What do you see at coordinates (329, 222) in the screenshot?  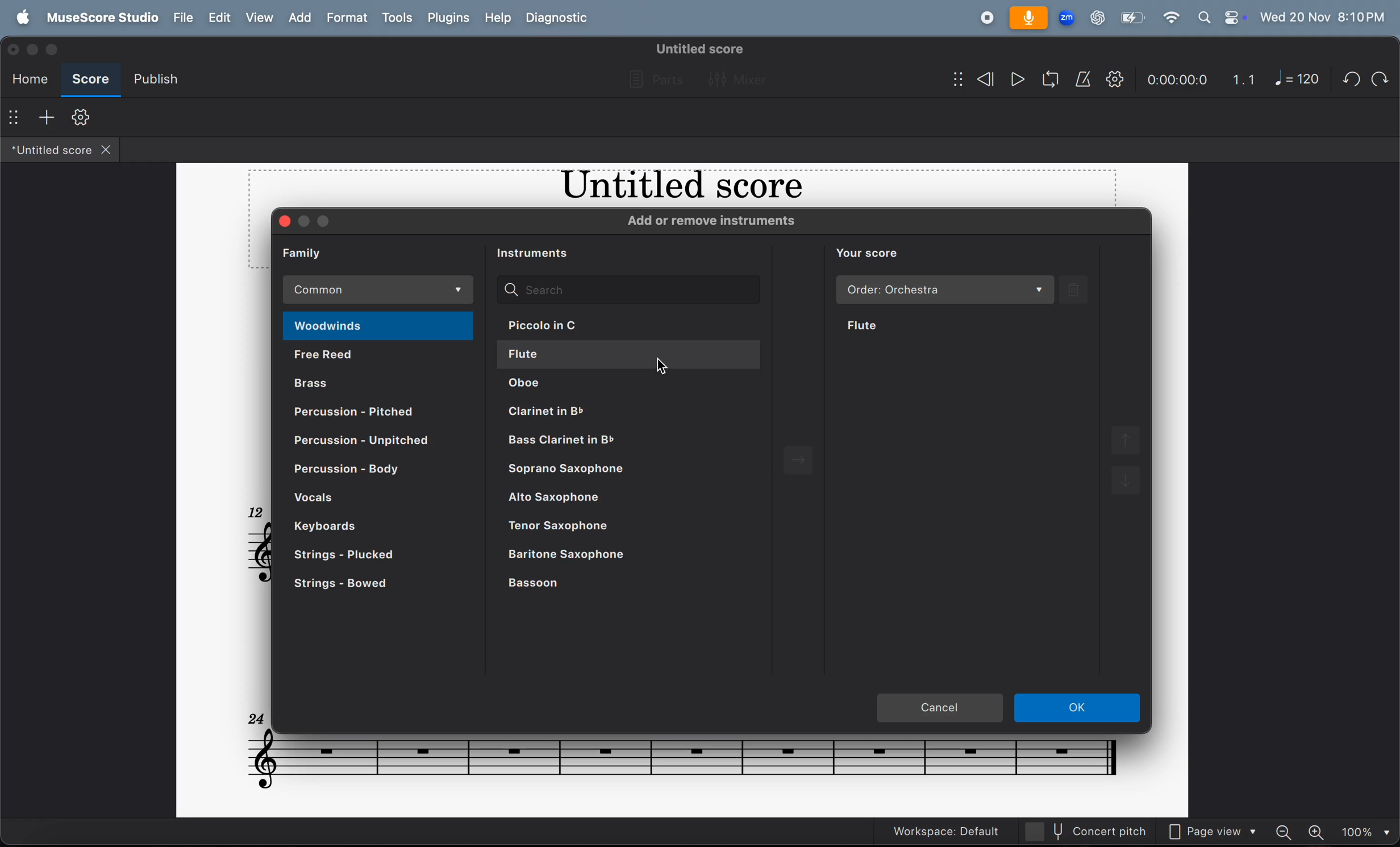 I see `maximize` at bounding box center [329, 222].